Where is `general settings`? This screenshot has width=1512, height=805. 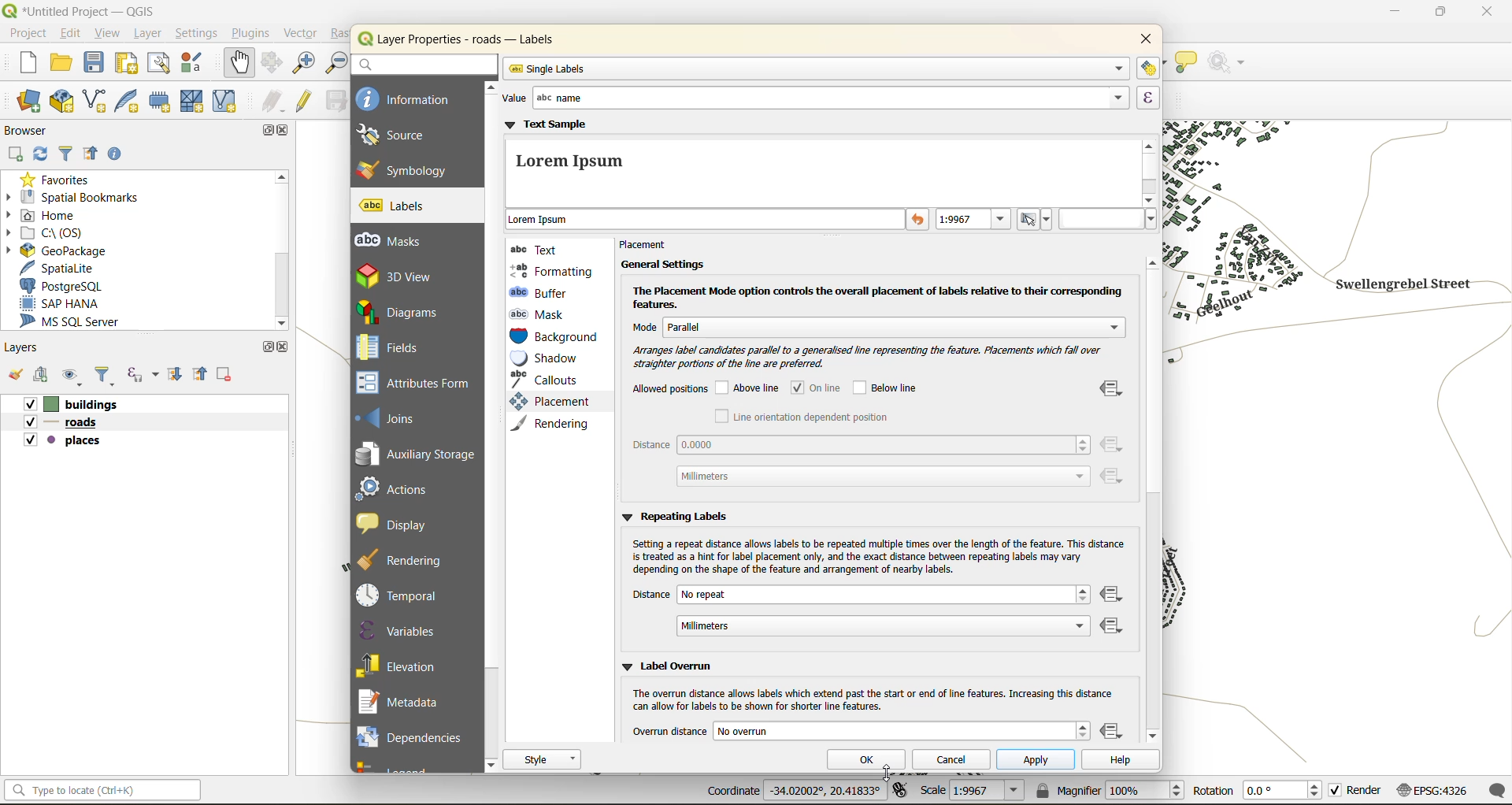 general settings is located at coordinates (661, 264).